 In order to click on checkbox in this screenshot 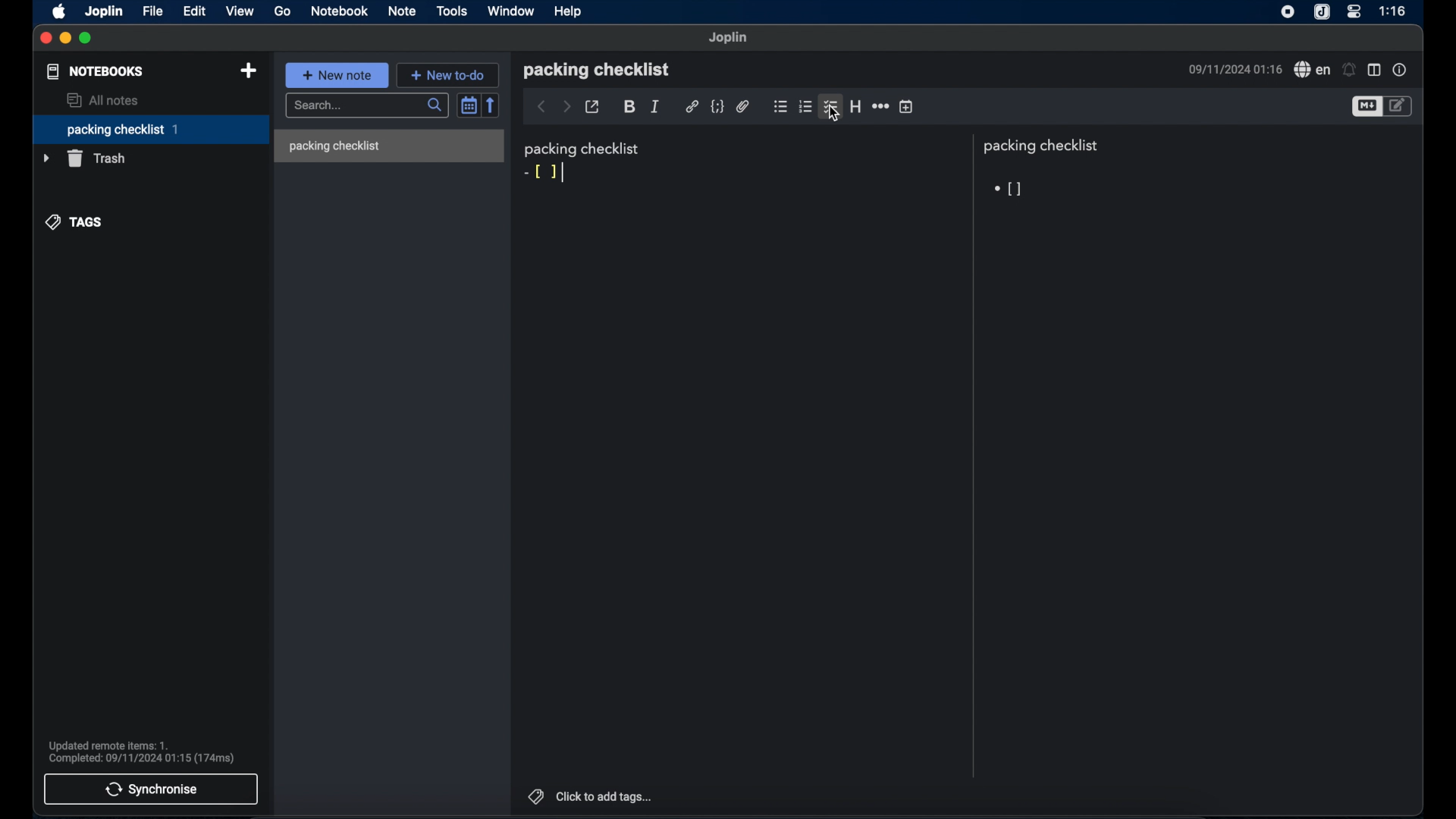, I will do `click(1006, 189)`.